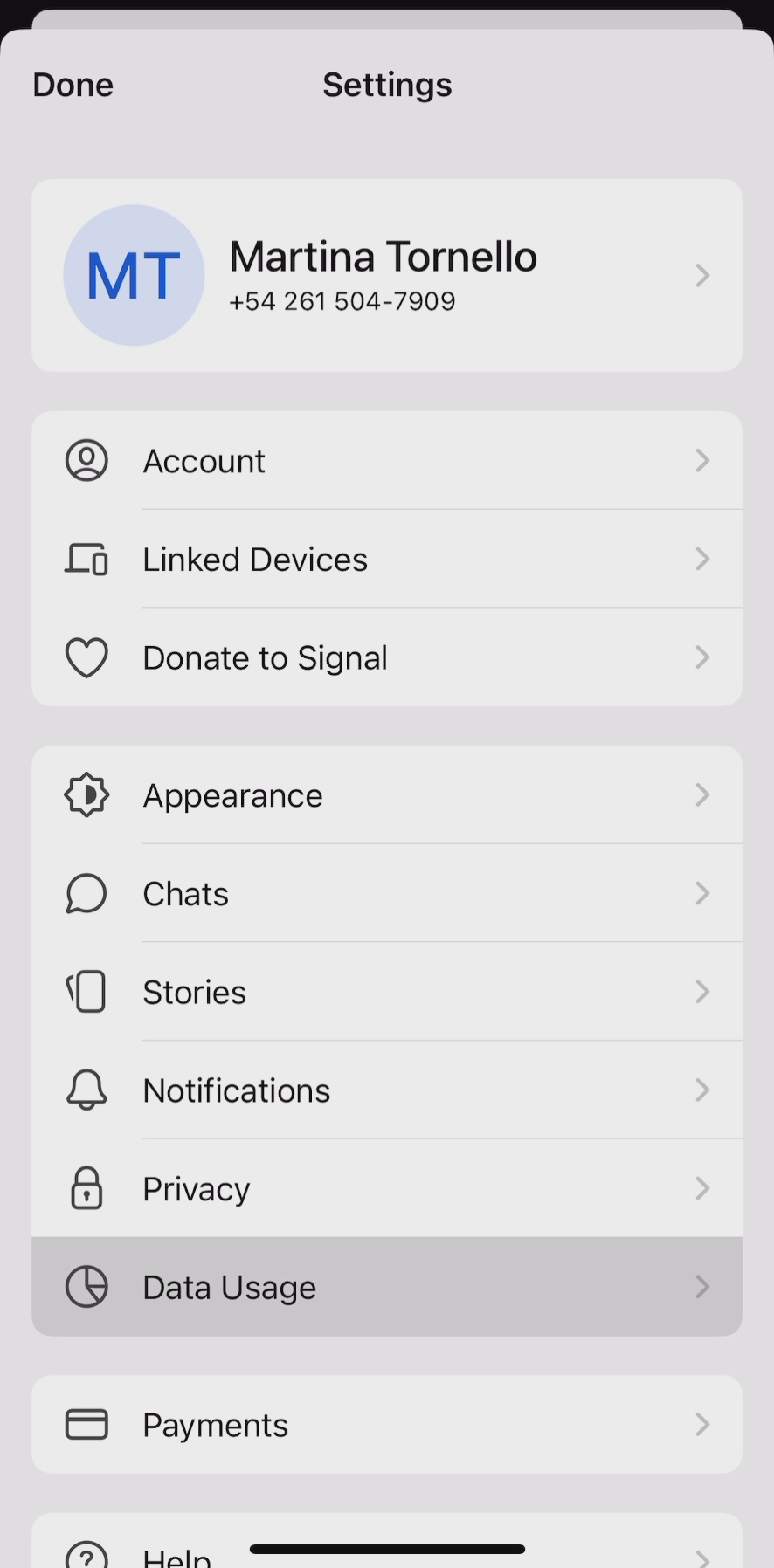  What do you see at coordinates (393, 1186) in the screenshot?
I see `privacy` at bounding box center [393, 1186].